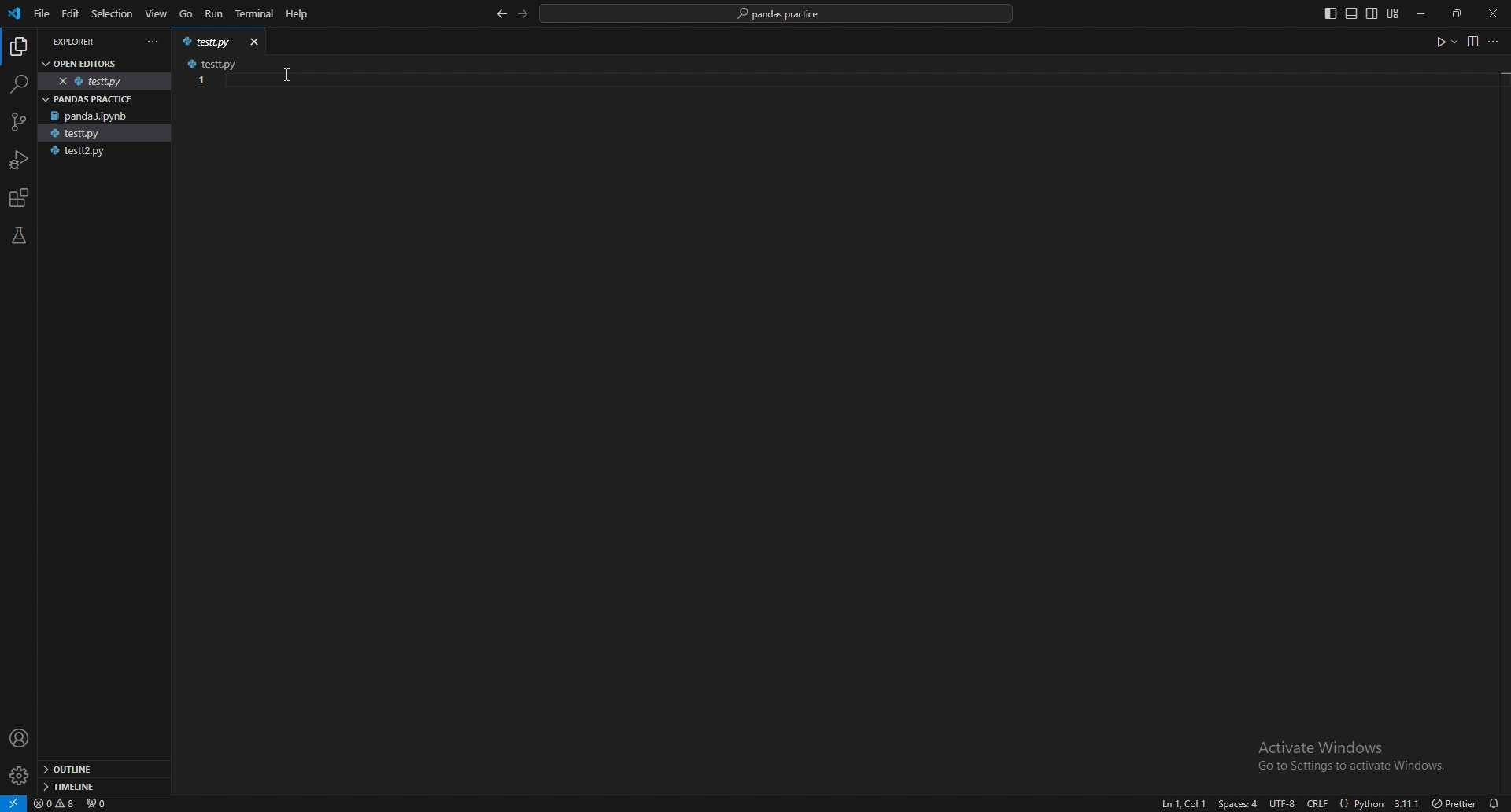 The height and width of the screenshot is (812, 1511). I want to click on toggle panel, so click(1351, 14).